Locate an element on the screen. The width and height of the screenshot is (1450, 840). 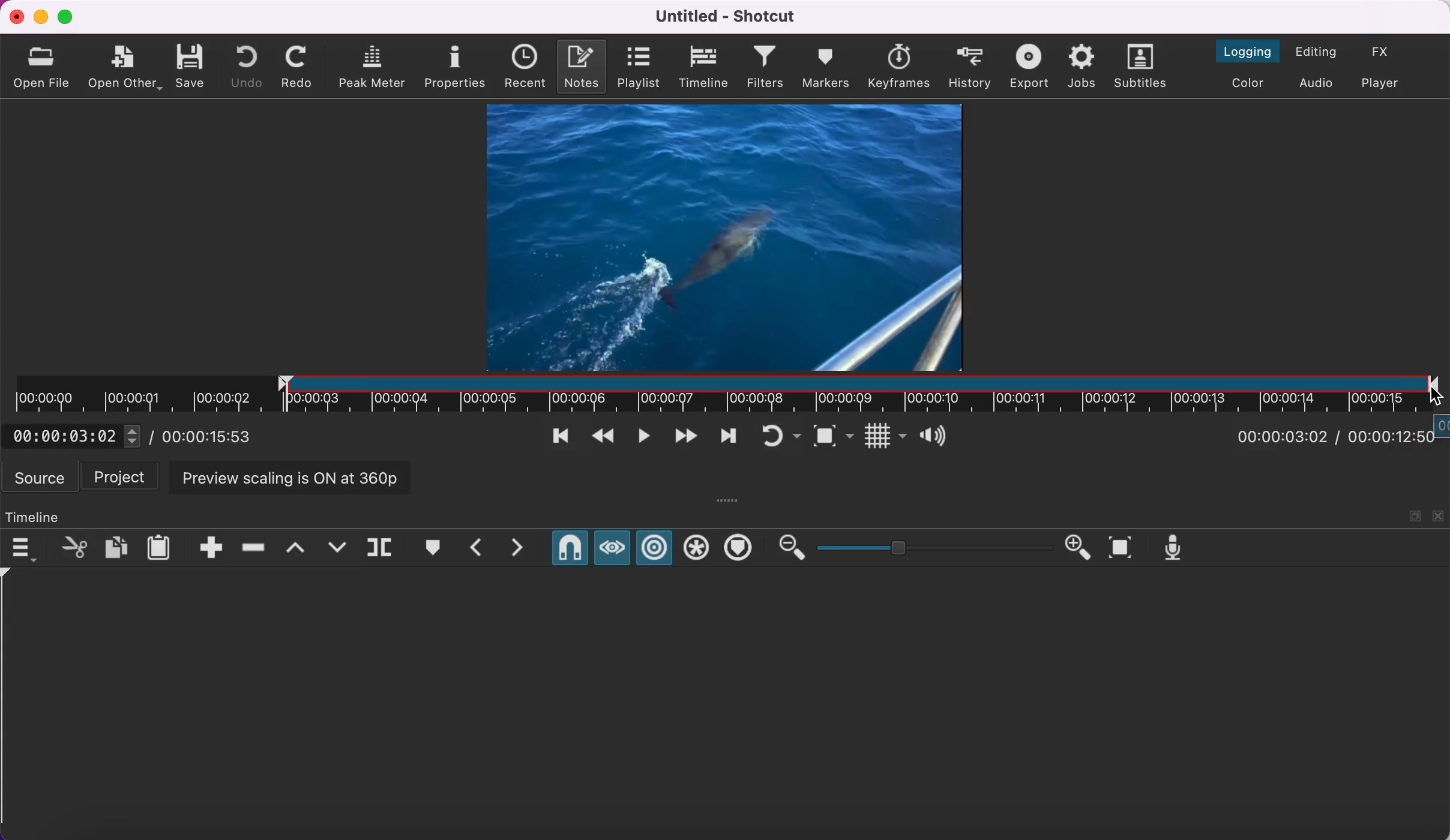
minimize is located at coordinates (41, 17).